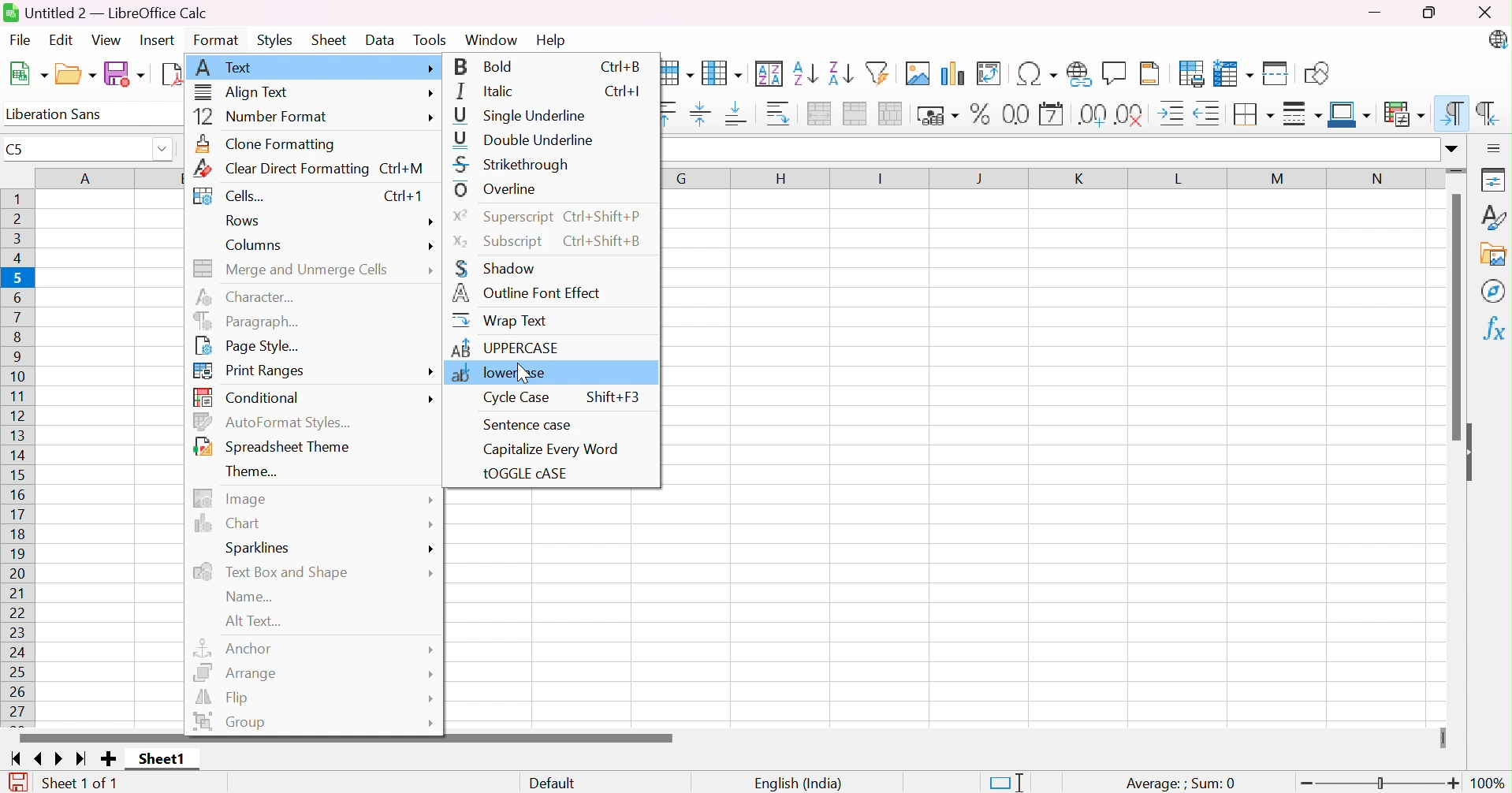 The height and width of the screenshot is (793, 1512). What do you see at coordinates (1094, 114) in the screenshot?
I see `Add Decimal Place` at bounding box center [1094, 114].